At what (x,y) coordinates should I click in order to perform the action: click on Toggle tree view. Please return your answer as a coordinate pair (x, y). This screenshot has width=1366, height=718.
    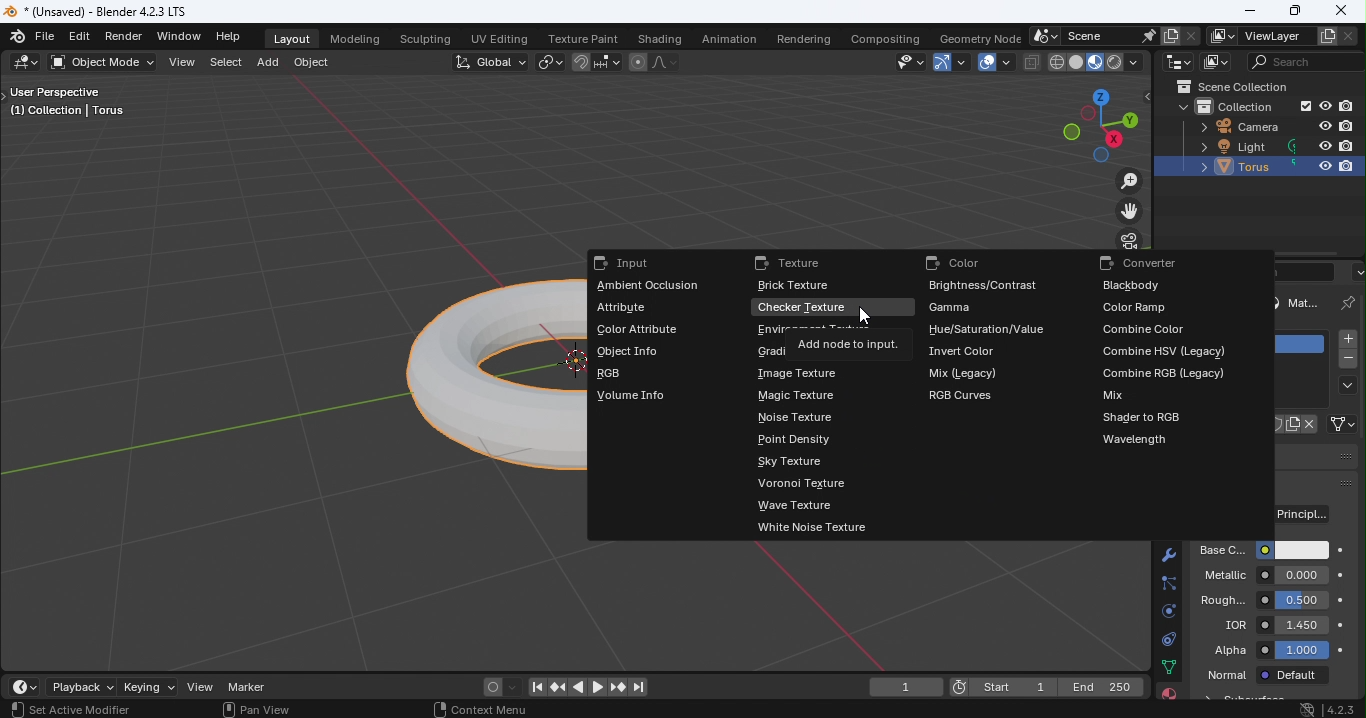
    Looking at the image, I should click on (1146, 96).